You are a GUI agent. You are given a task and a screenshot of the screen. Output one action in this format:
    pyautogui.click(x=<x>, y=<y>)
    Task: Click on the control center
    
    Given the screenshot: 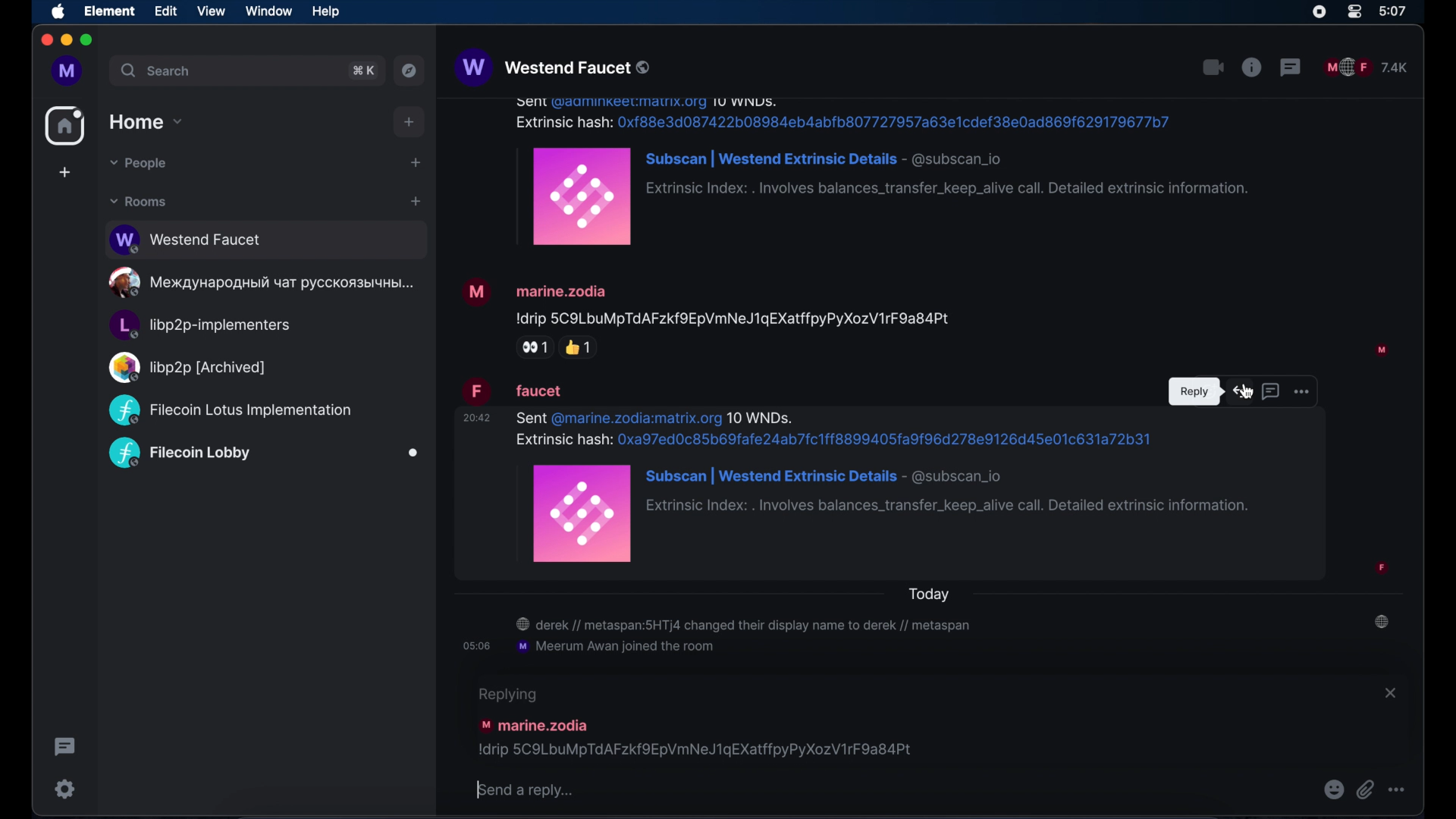 What is the action you would take?
    pyautogui.click(x=1354, y=12)
    